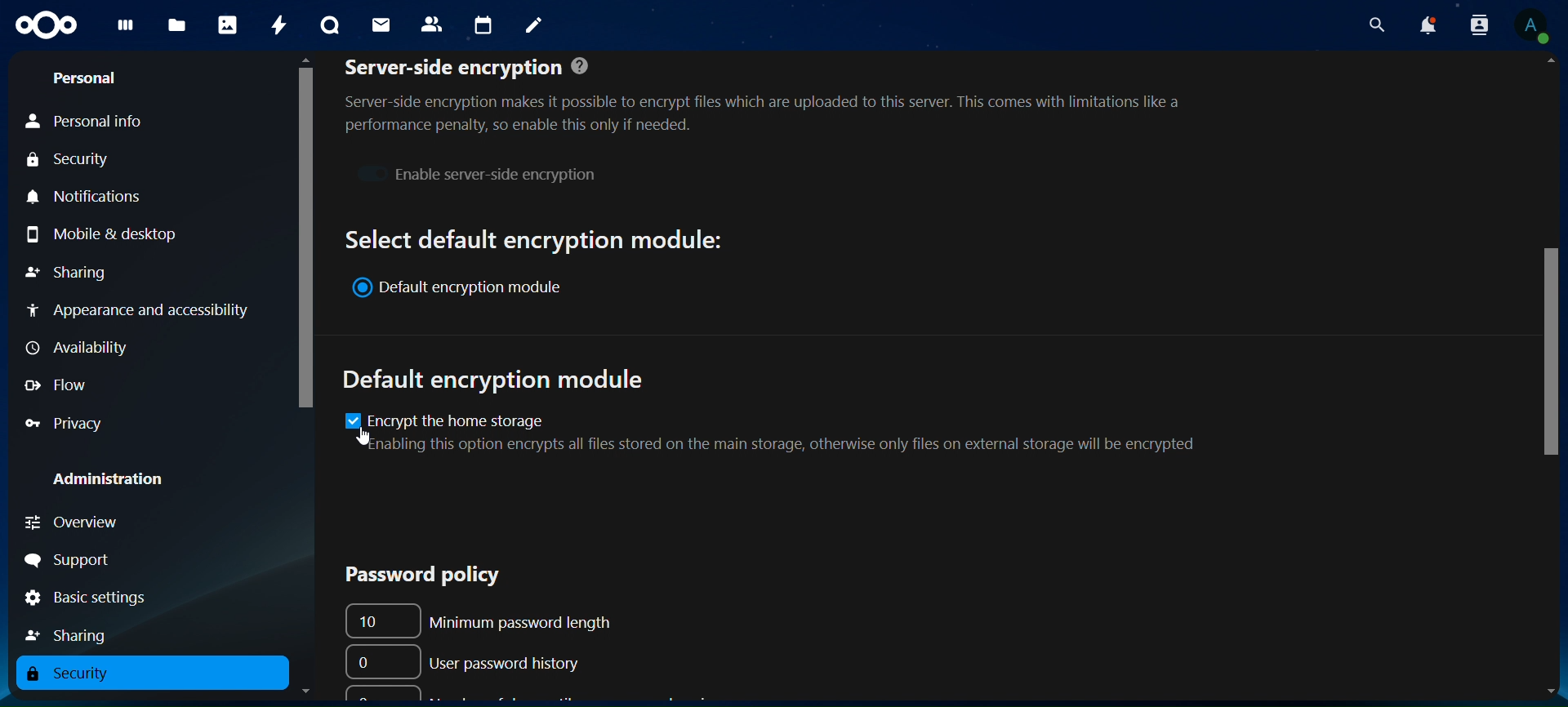  Describe the element at coordinates (43, 23) in the screenshot. I see `icon` at that location.